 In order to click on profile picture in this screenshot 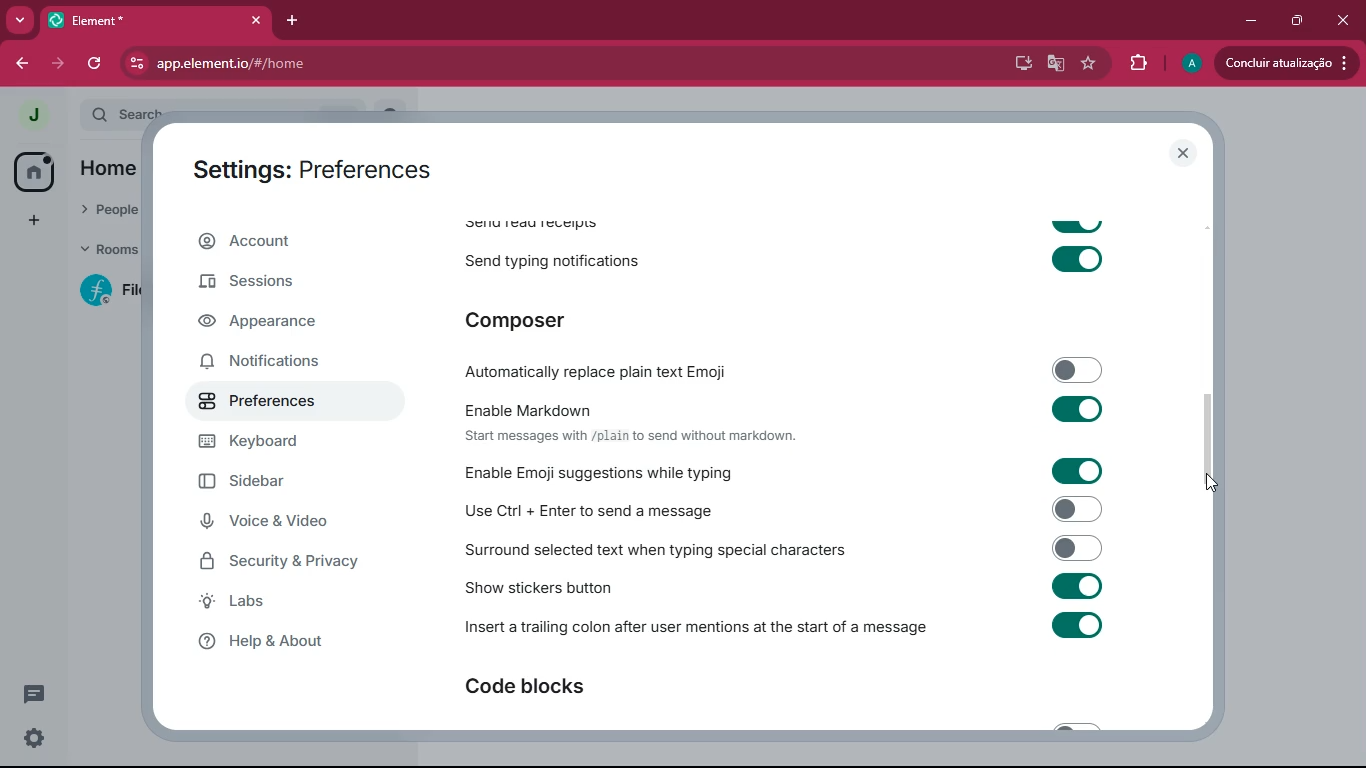, I will do `click(28, 114)`.